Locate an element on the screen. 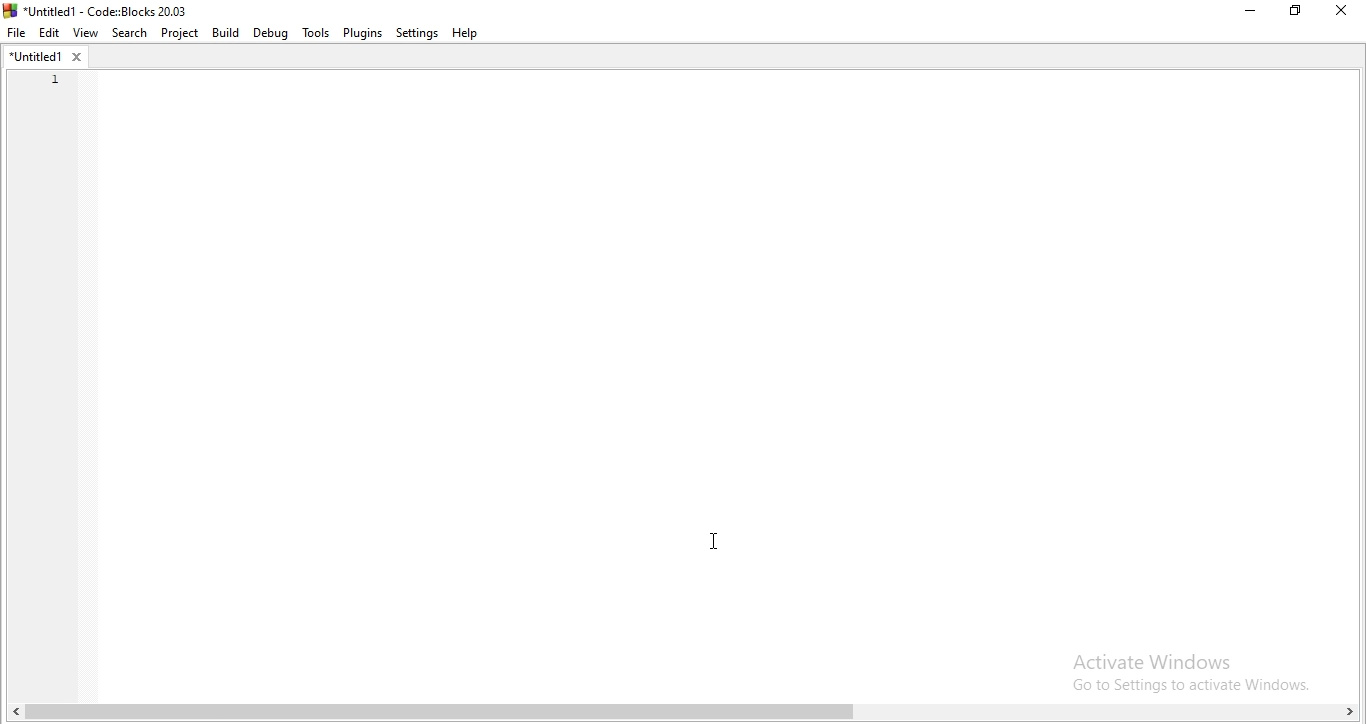 Image resolution: width=1366 pixels, height=724 pixels. Project  is located at coordinates (180, 33).